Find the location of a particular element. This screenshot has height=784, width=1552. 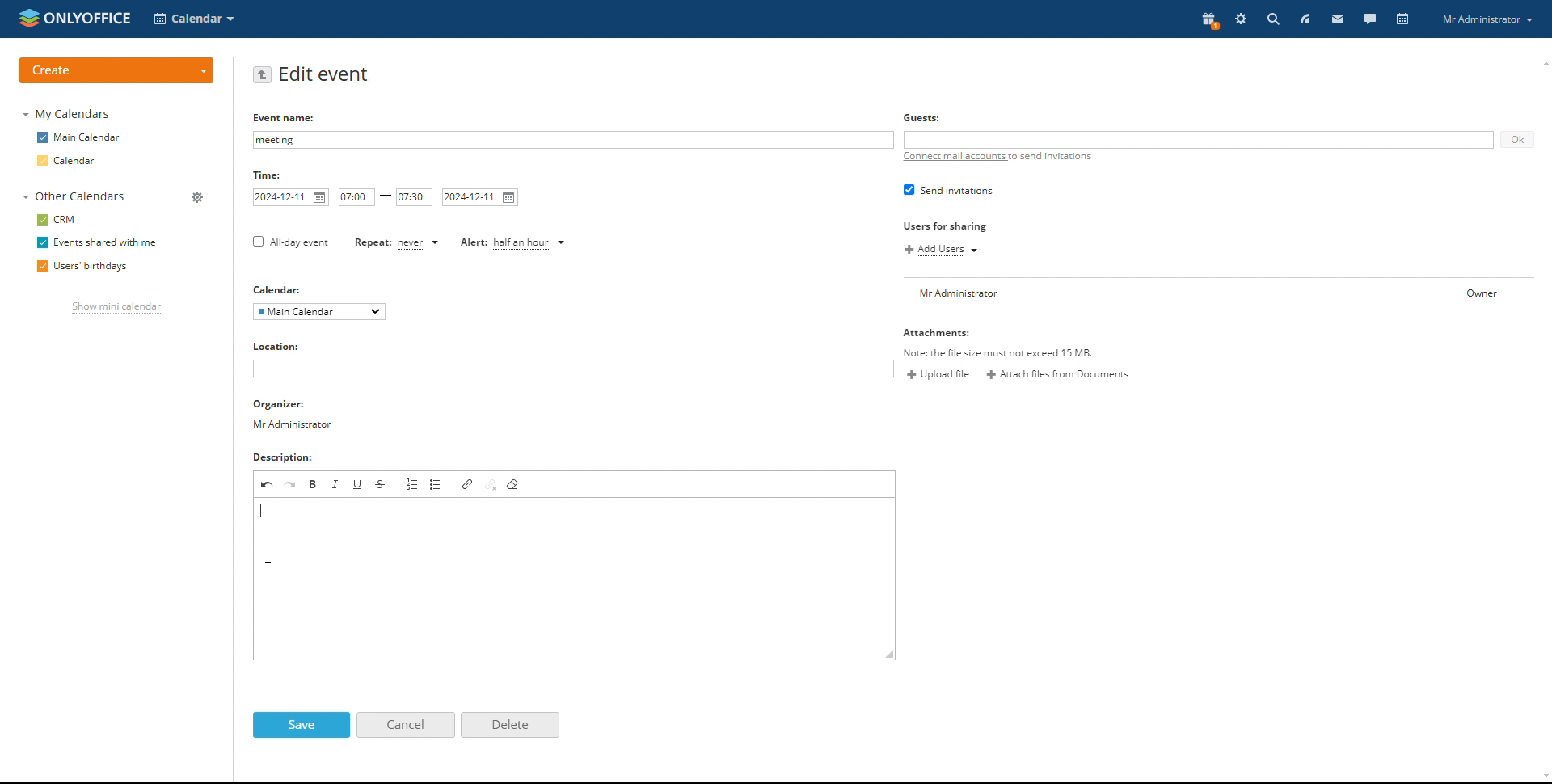

connect mail accounts is located at coordinates (953, 157).